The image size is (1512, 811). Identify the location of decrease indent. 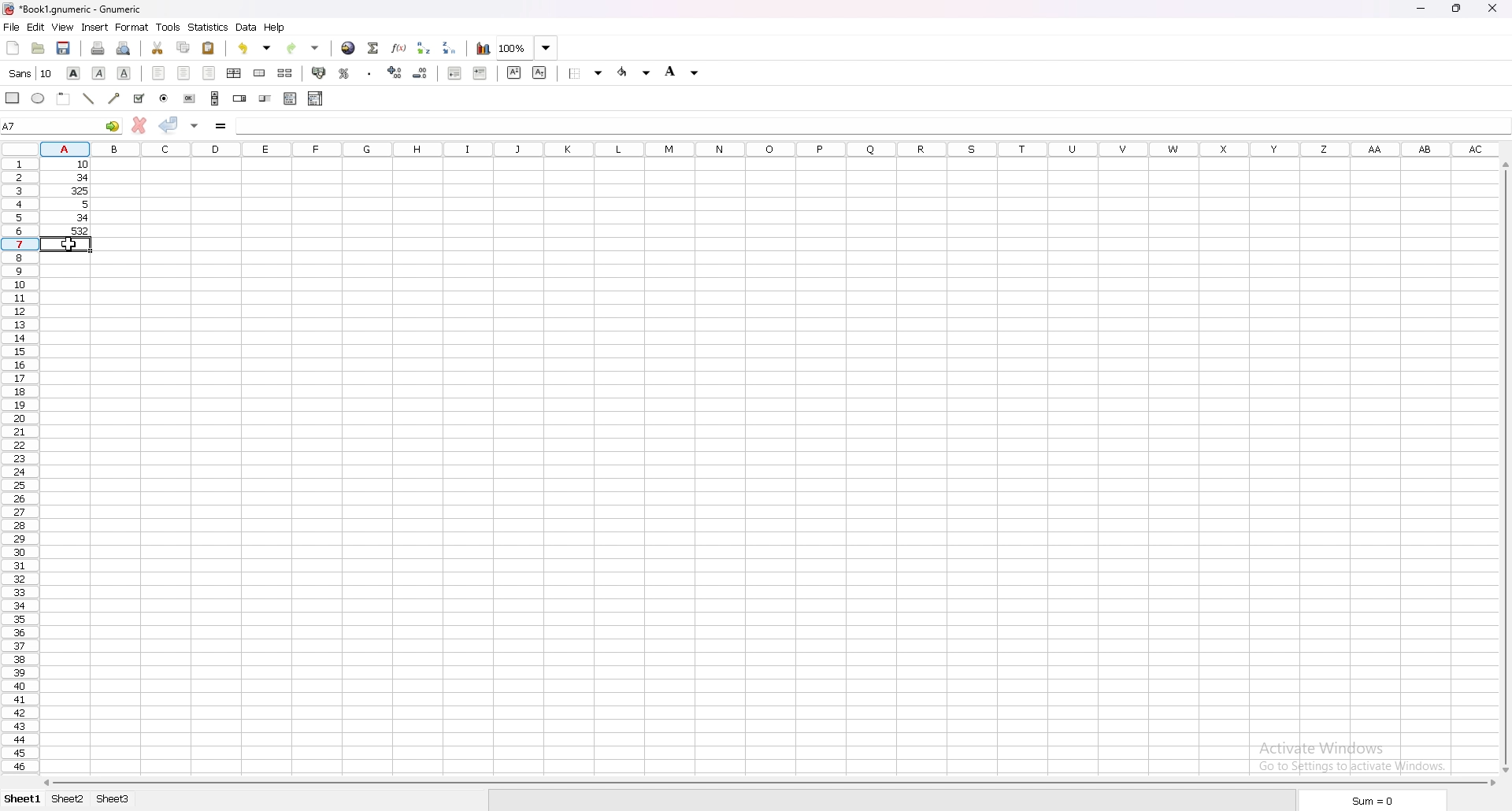
(455, 73).